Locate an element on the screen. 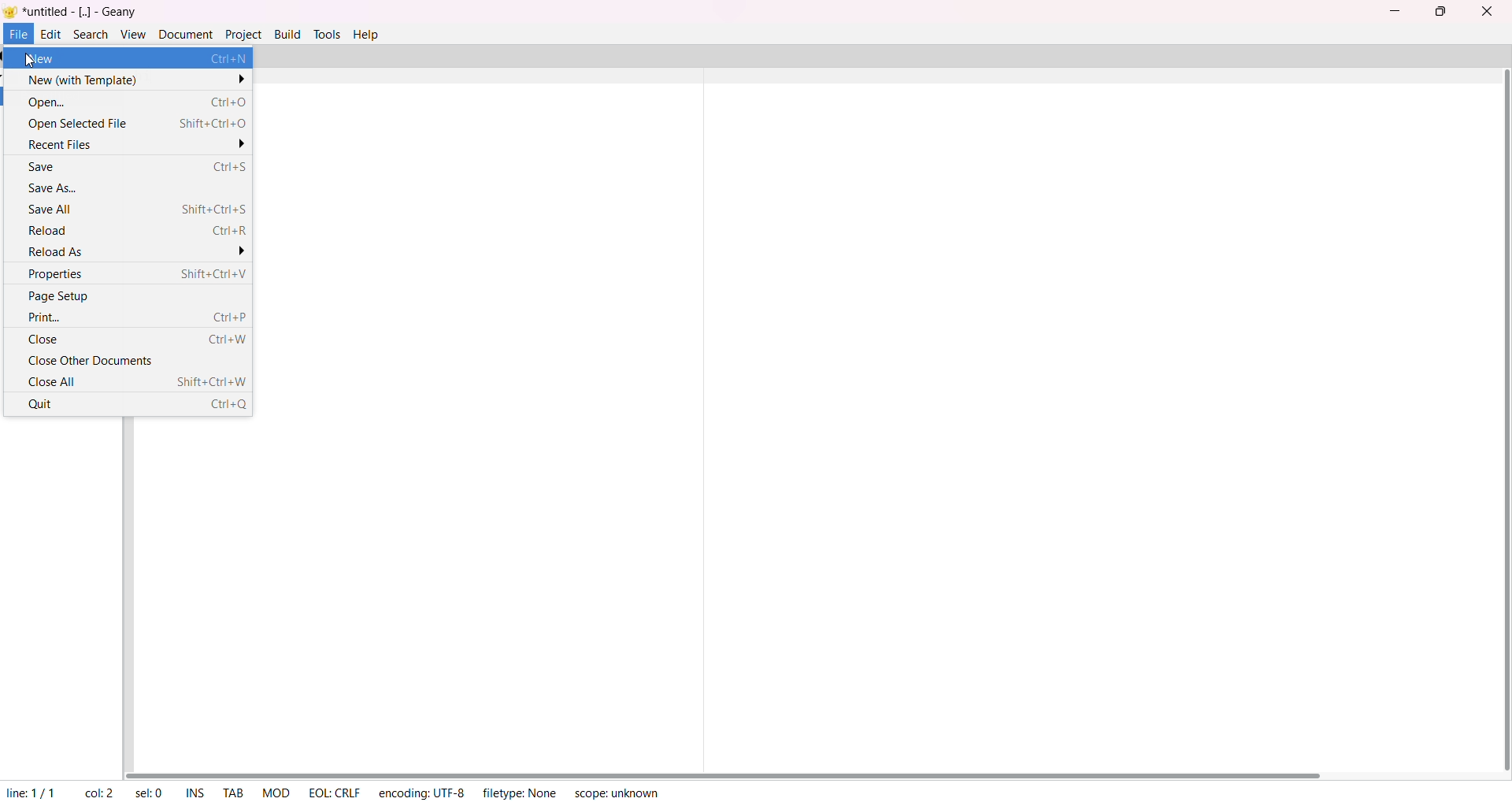  reload as is located at coordinates (134, 251).